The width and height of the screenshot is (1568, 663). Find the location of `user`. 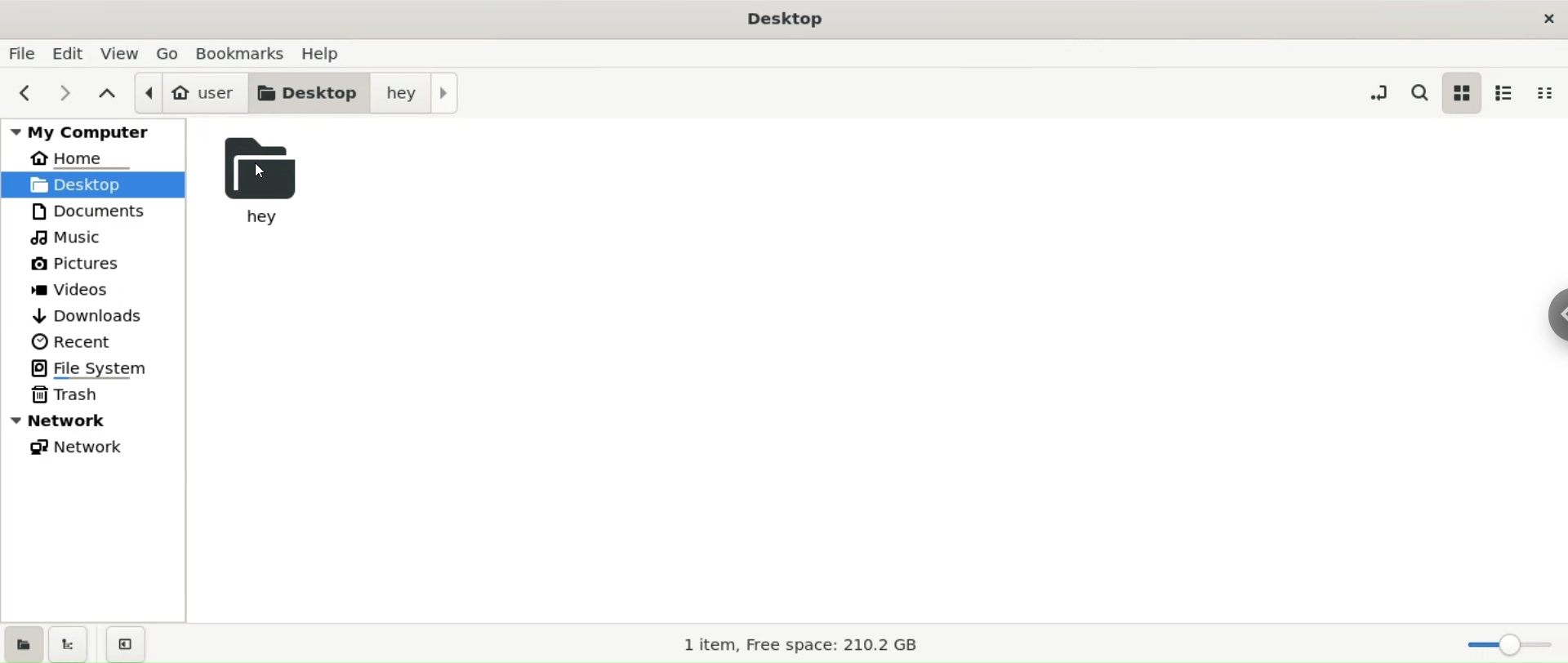

user is located at coordinates (189, 91).